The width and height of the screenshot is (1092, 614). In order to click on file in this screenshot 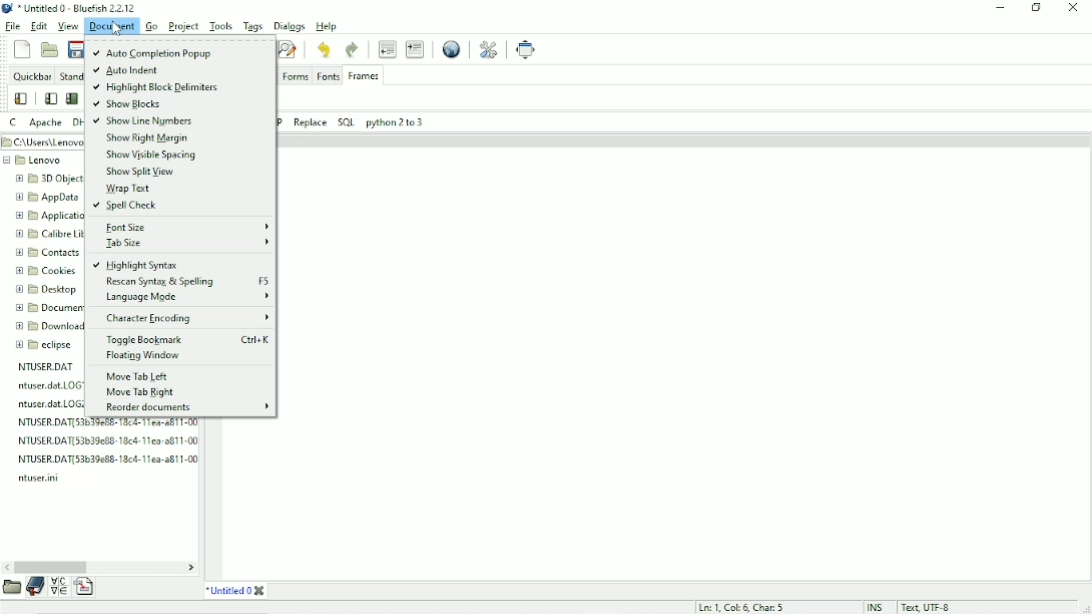, I will do `click(49, 478)`.